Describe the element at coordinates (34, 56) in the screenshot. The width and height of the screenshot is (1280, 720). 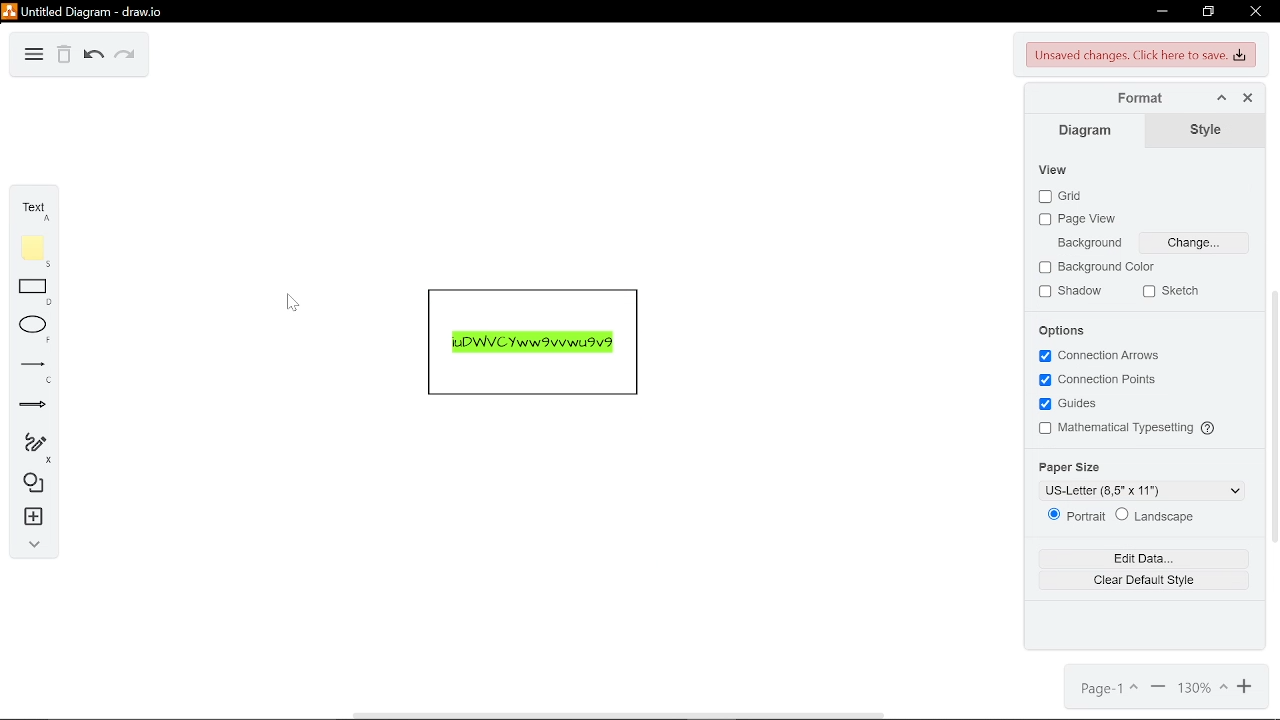
I see `diagram` at that location.